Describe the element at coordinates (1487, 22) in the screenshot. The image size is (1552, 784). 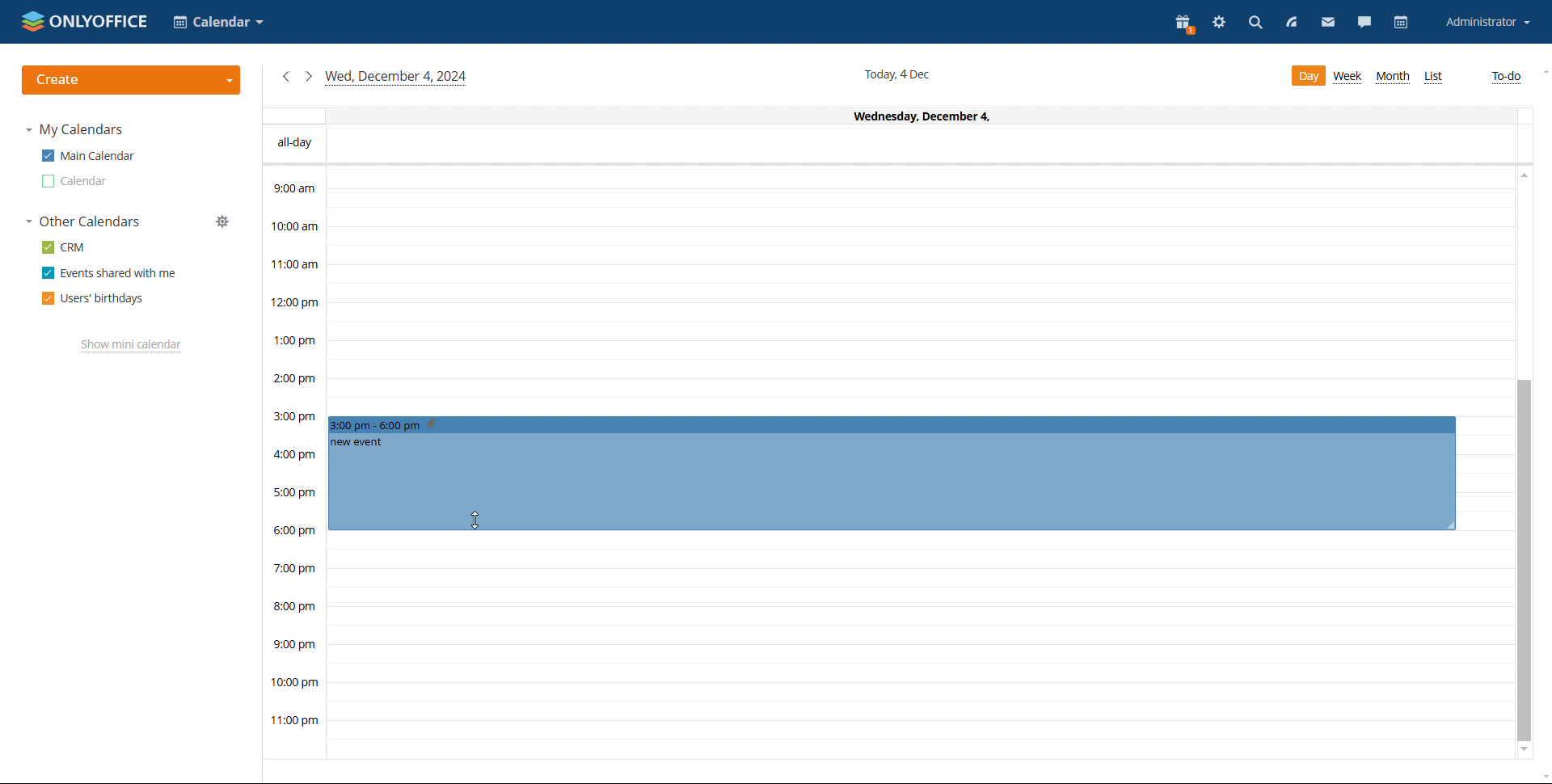
I see `account` at that location.